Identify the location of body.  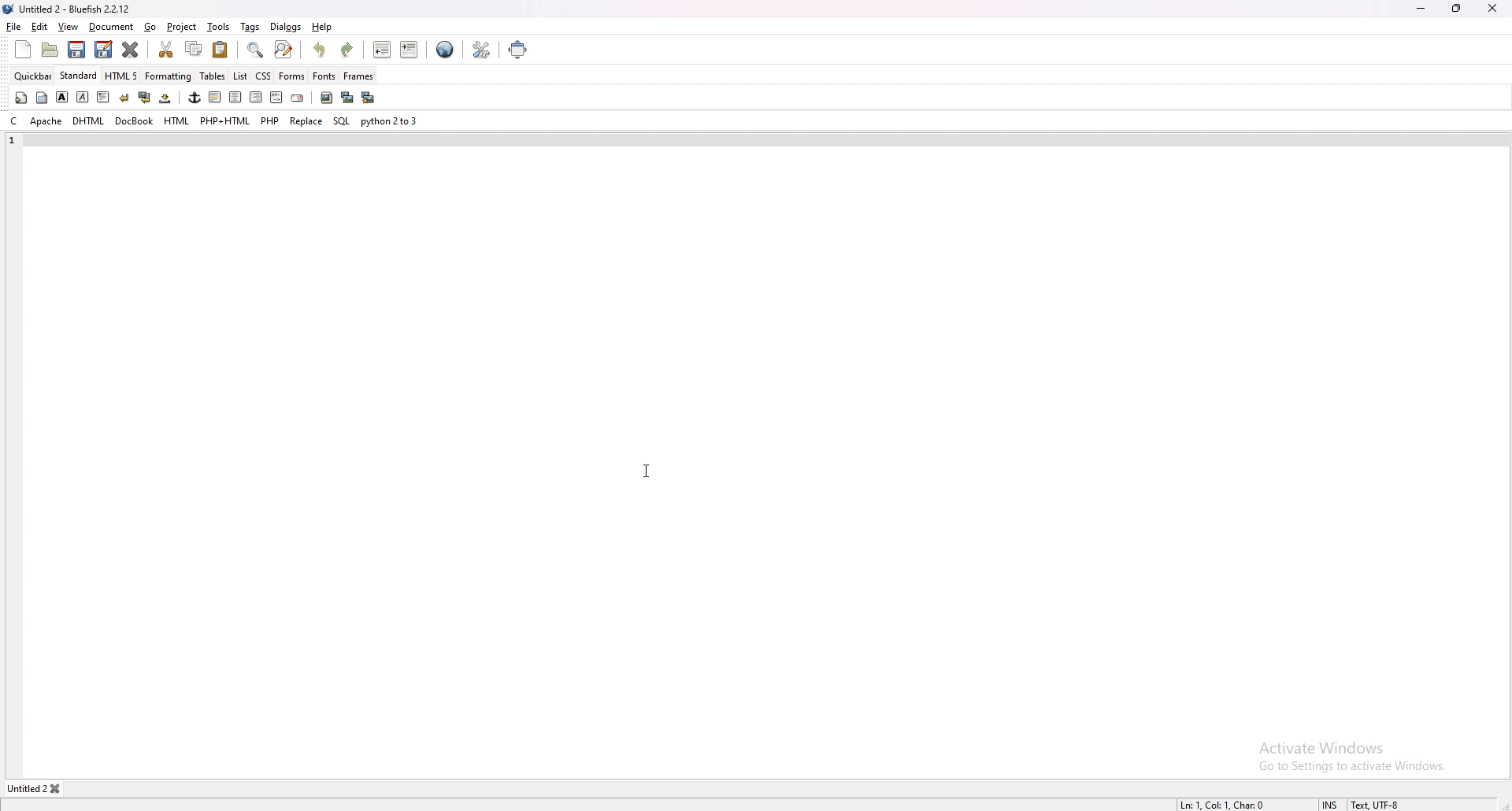
(41, 98).